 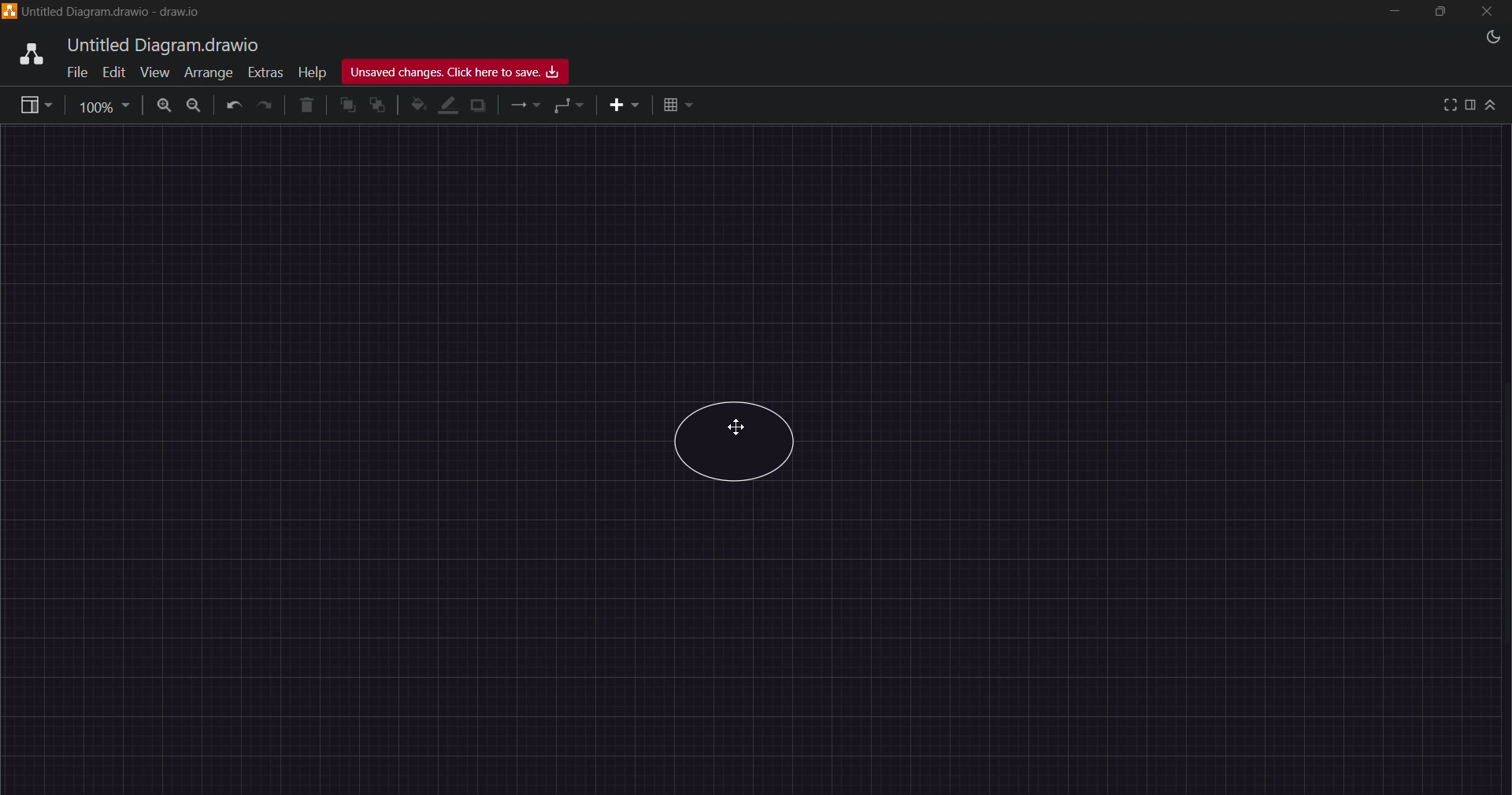 I want to click on cursor, so click(x=739, y=424).